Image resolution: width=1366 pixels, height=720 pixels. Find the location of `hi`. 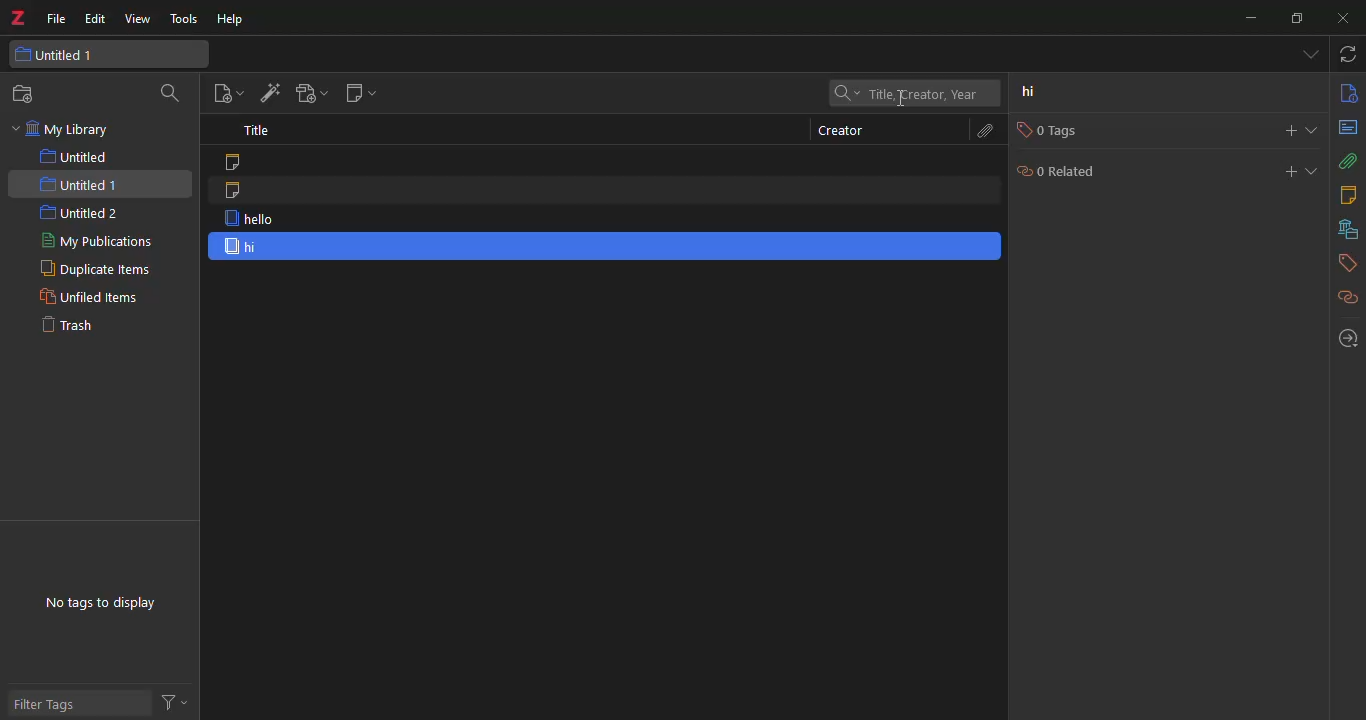

hi is located at coordinates (1038, 94).